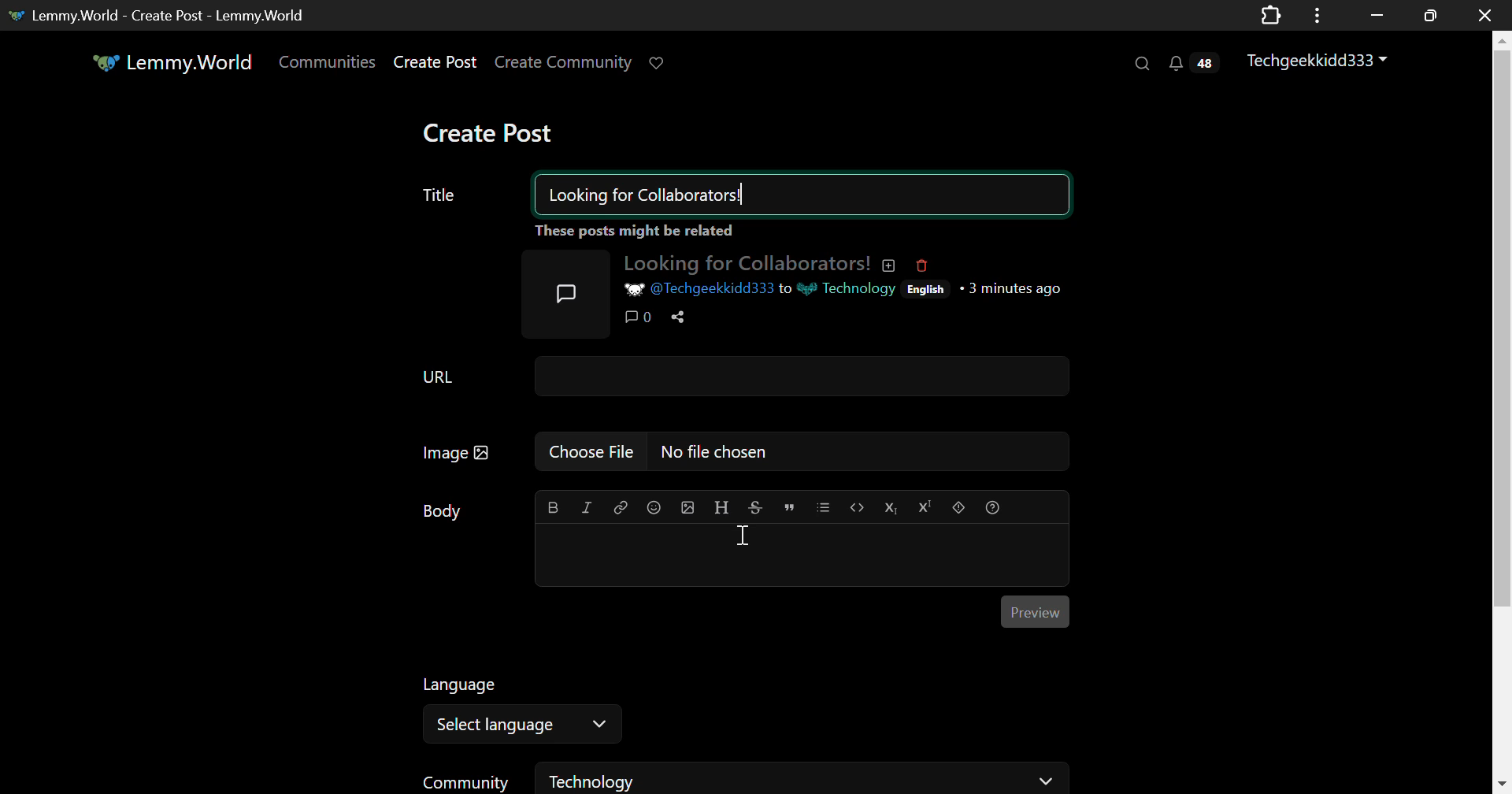  I want to click on Looking for Collaborators, so click(758, 262).